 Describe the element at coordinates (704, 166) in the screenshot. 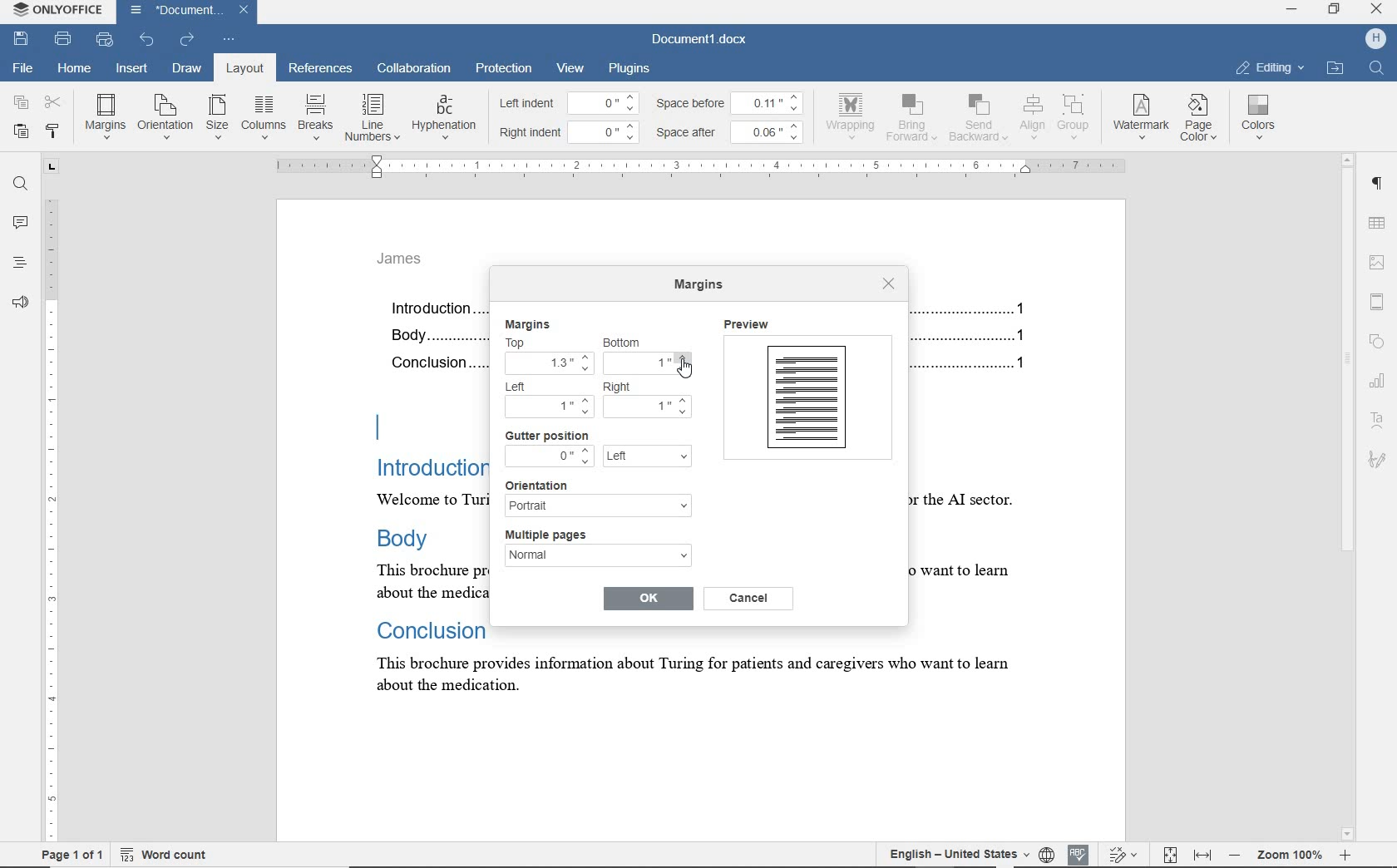

I see `ruler` at that location.